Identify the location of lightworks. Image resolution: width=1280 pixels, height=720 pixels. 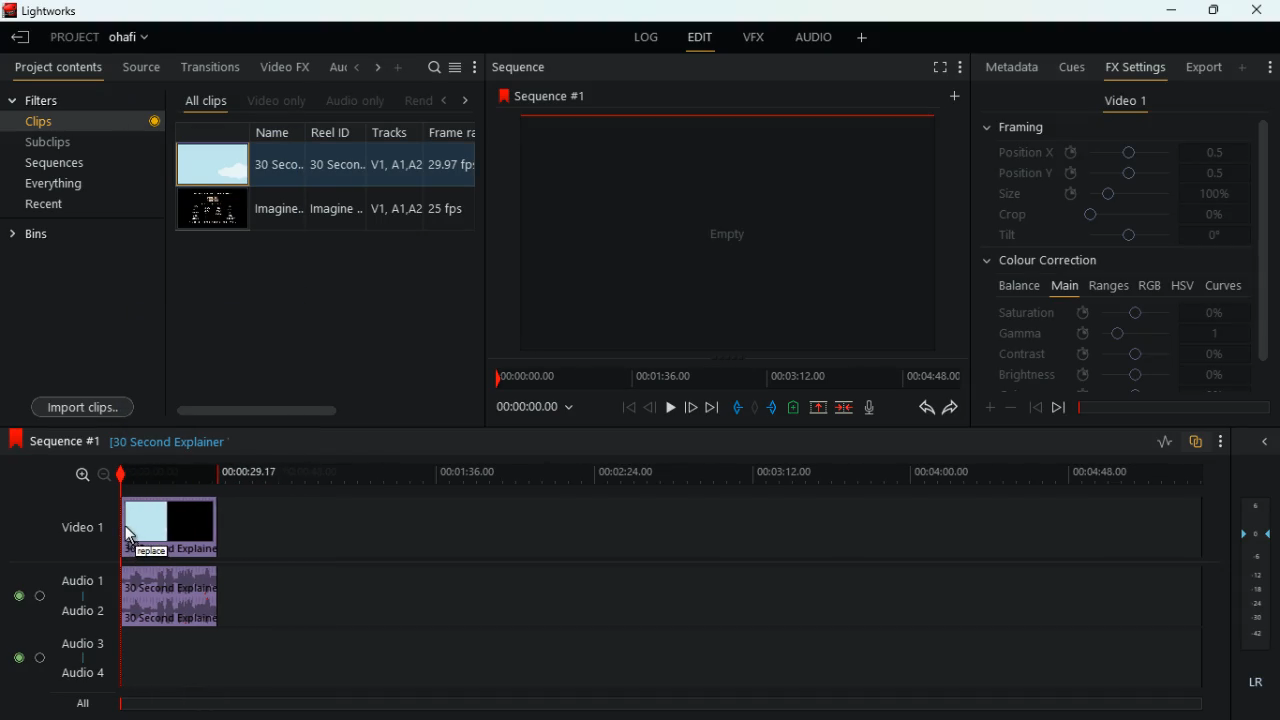
(44, 12).